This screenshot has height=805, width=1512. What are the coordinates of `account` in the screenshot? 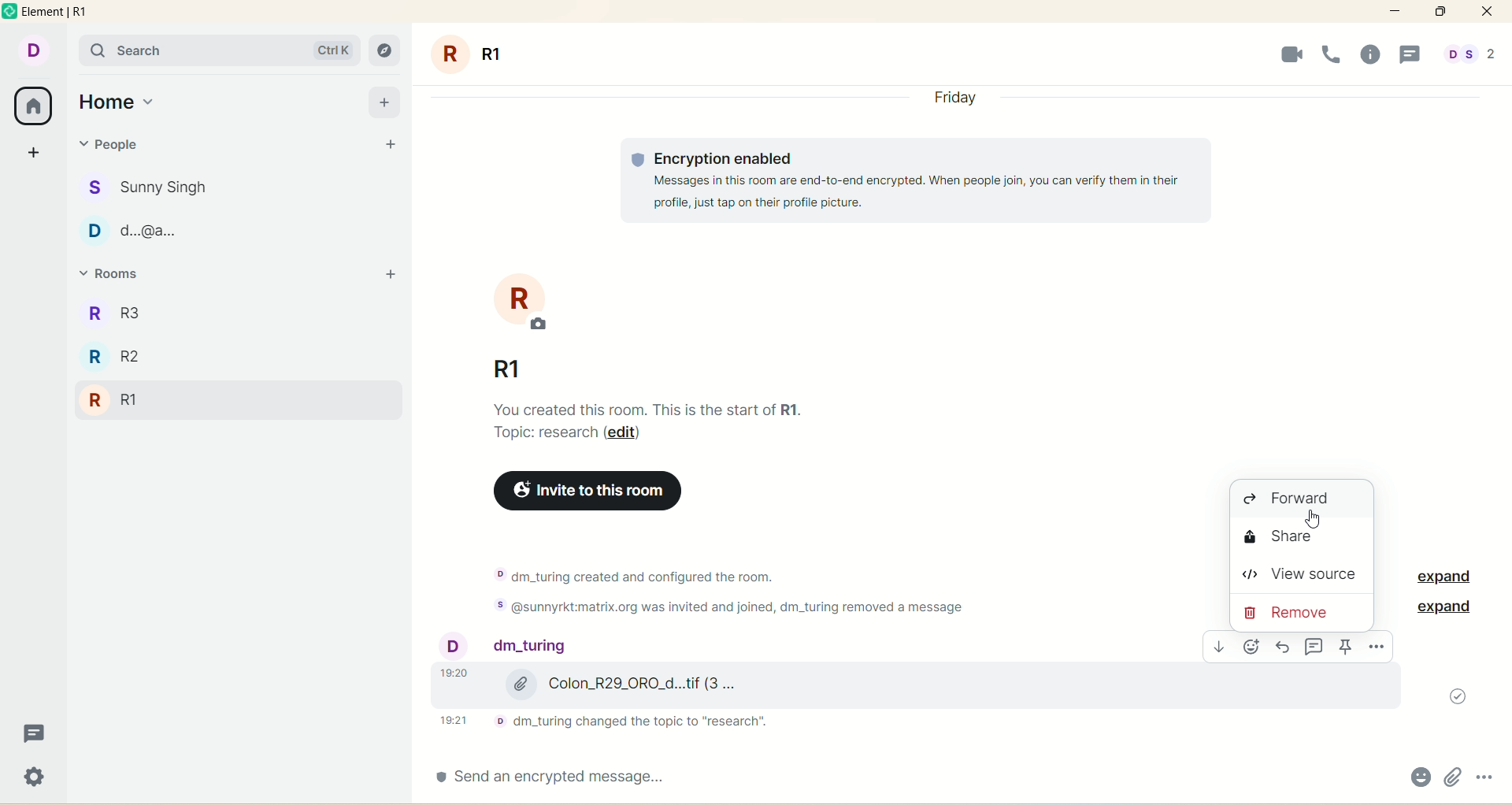 It's located at (31, 49).